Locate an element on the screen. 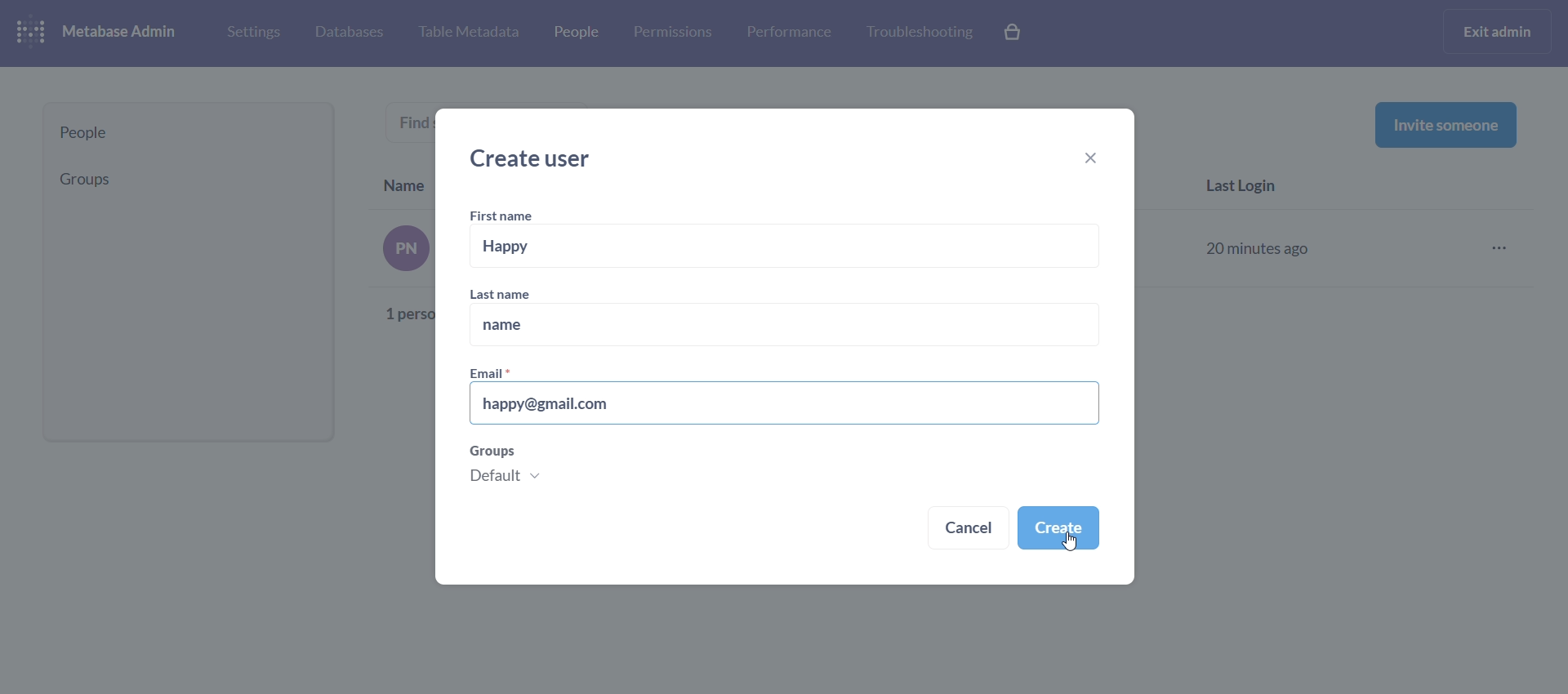 This screenshot has width=1568, height=694. invite someone is located at coordinates (1445, 124).